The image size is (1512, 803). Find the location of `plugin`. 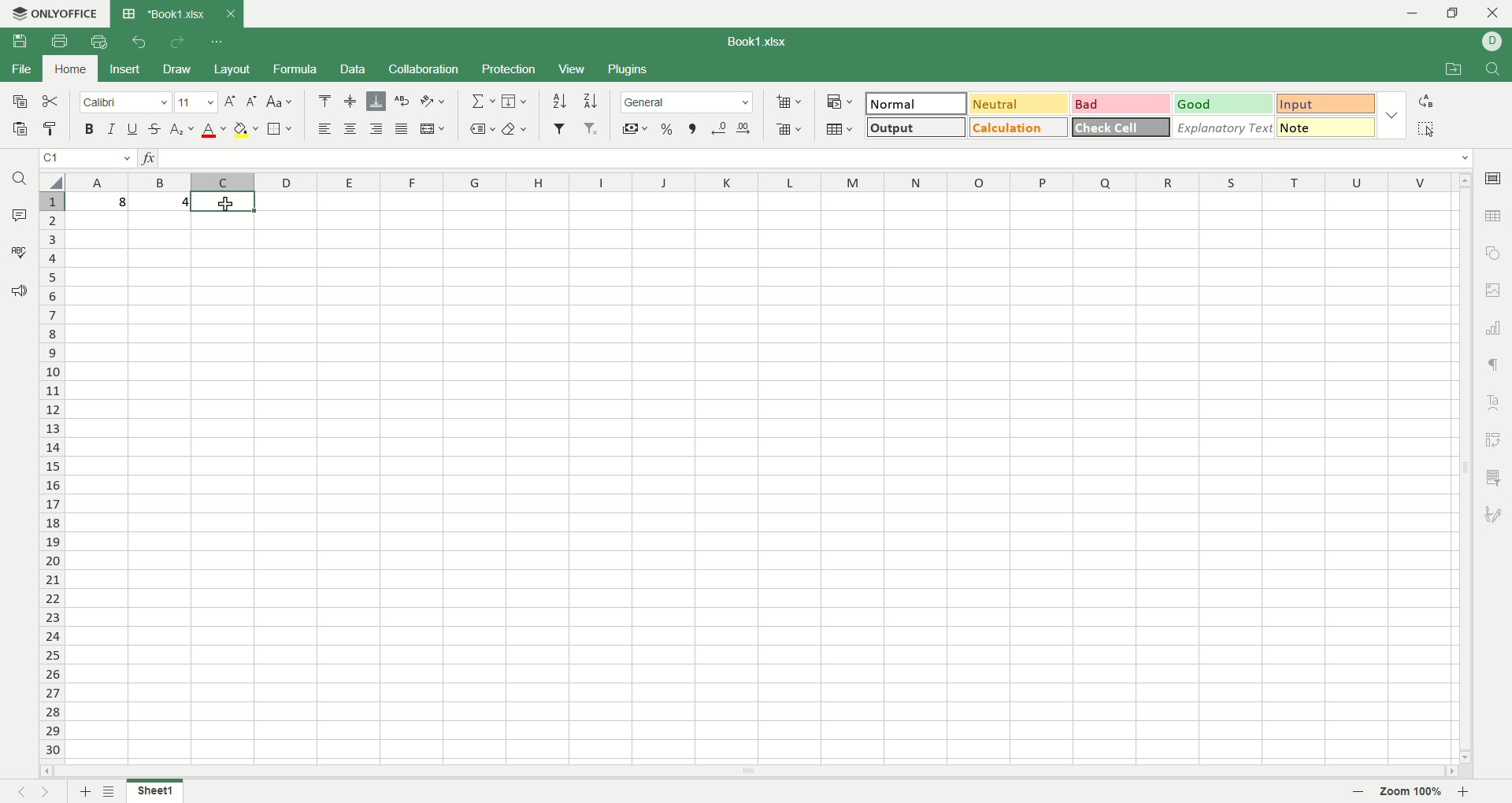

plugin is located at coordinates (625, 68).